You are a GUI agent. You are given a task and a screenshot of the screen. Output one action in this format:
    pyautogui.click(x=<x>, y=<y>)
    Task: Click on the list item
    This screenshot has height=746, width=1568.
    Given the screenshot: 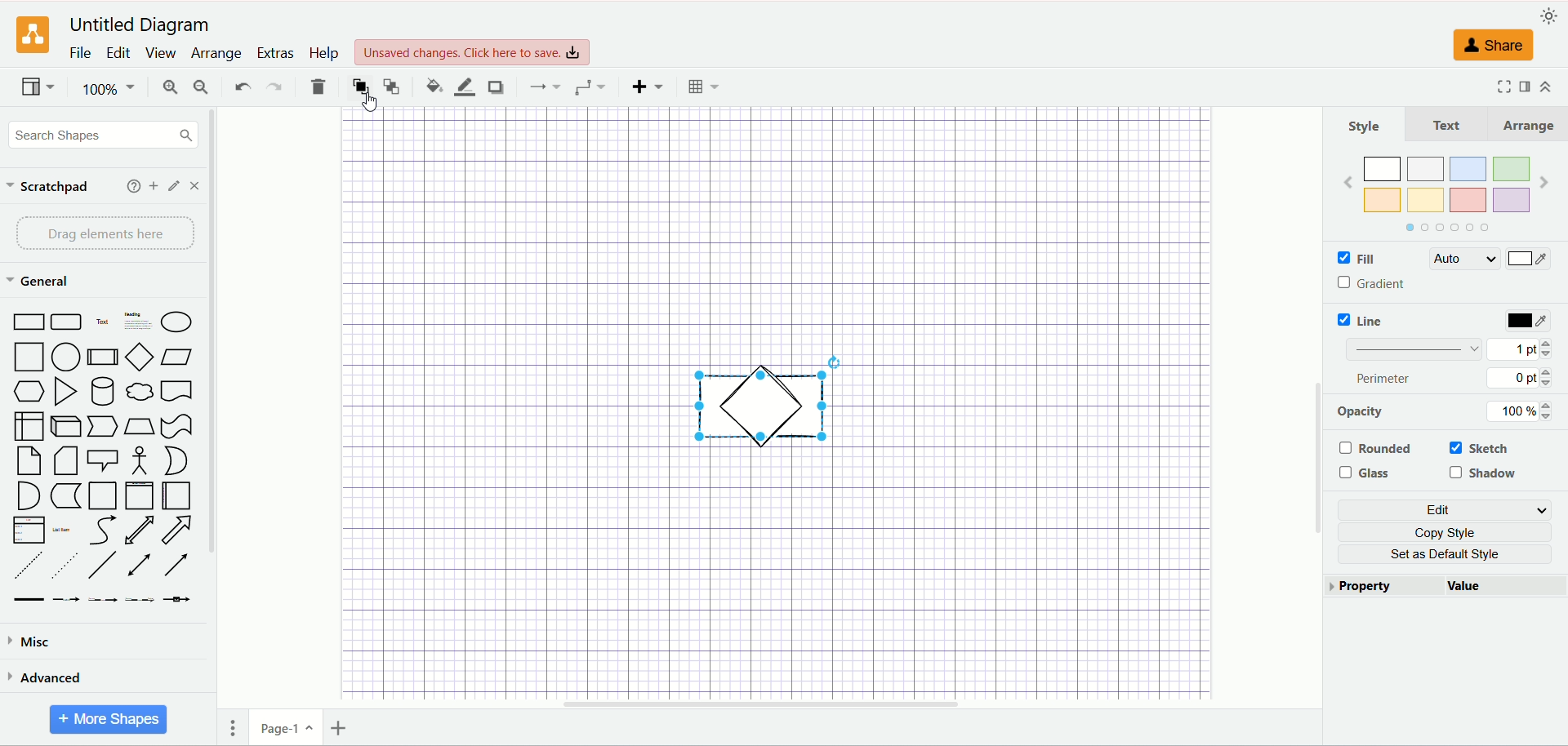 What is the action you would take?
    pyautogui.click(x=69, y=530)
    